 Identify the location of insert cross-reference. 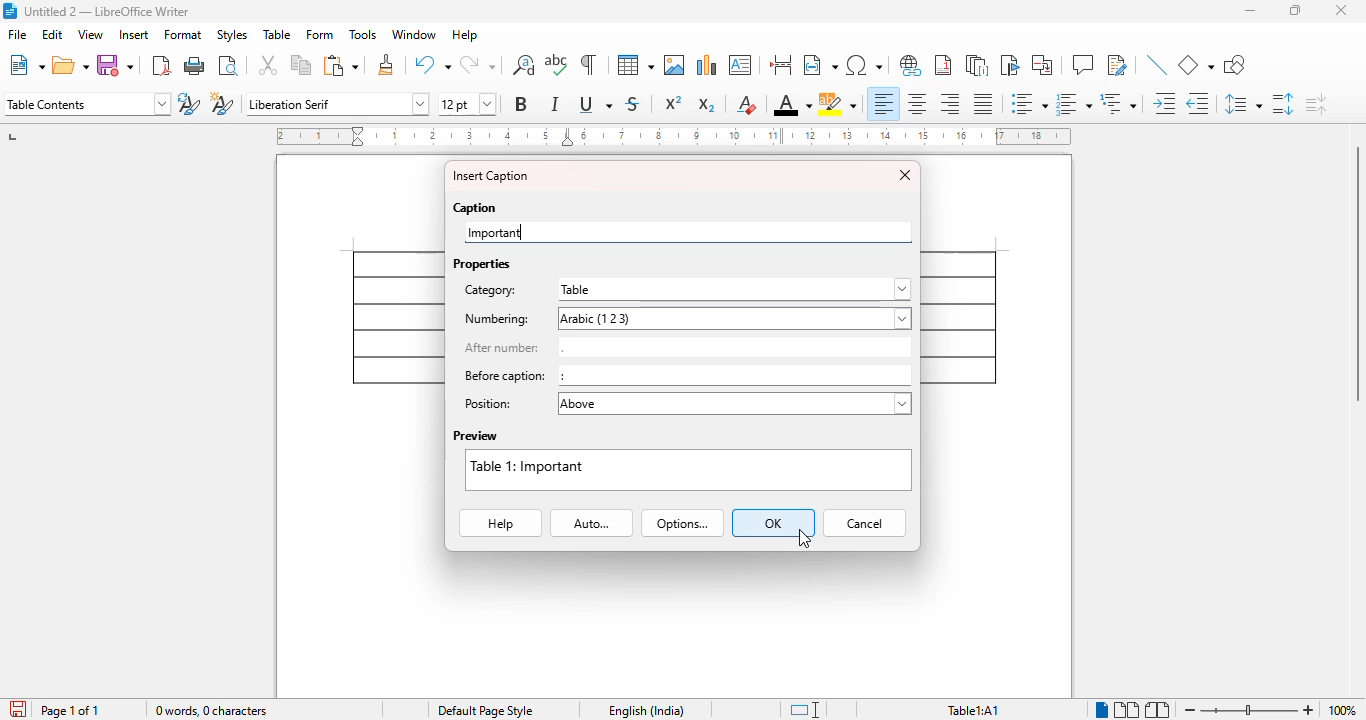
(1042, 64).